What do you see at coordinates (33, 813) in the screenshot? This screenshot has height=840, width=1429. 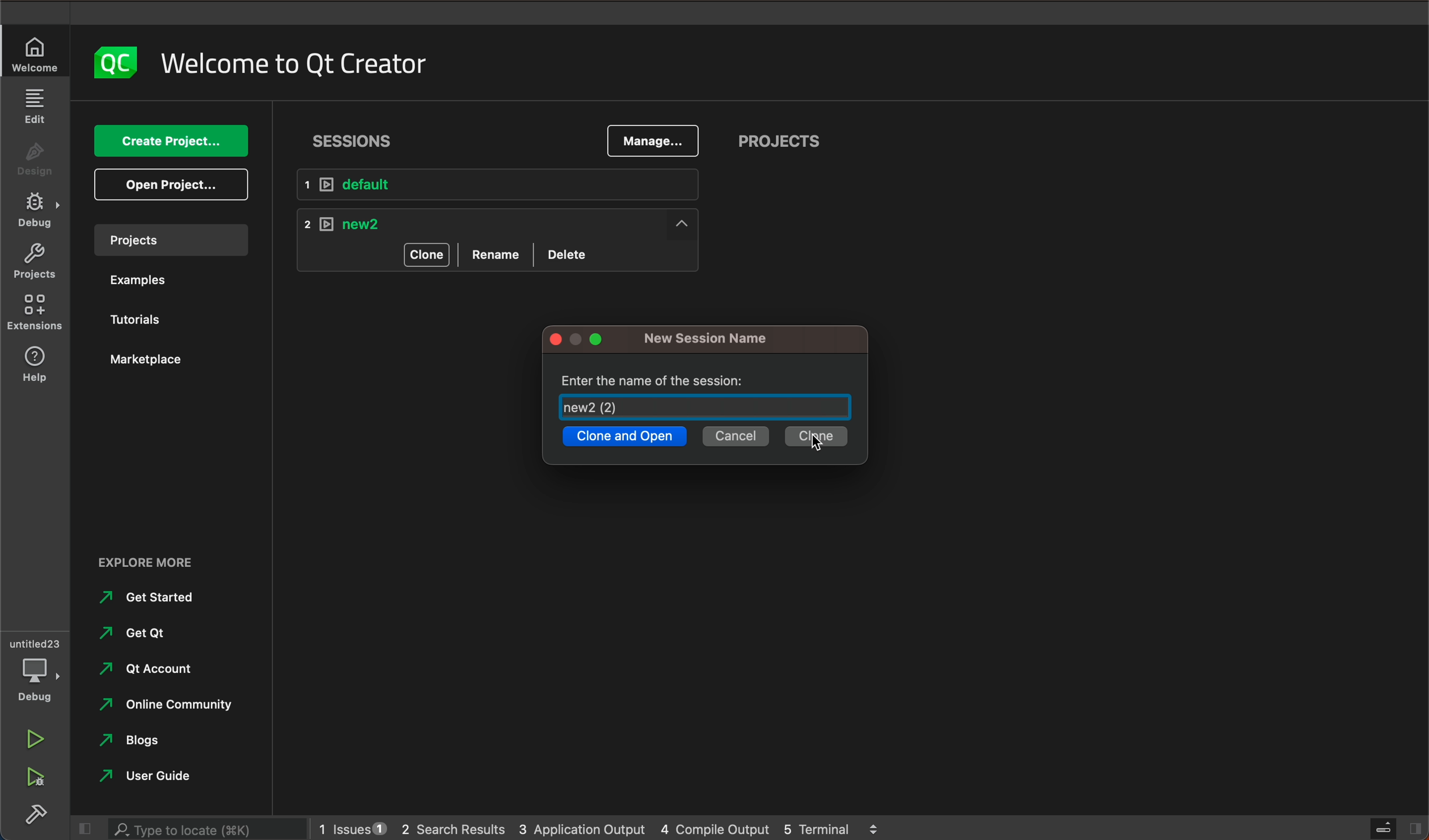 I see `build` at bounding box center [33, 813].